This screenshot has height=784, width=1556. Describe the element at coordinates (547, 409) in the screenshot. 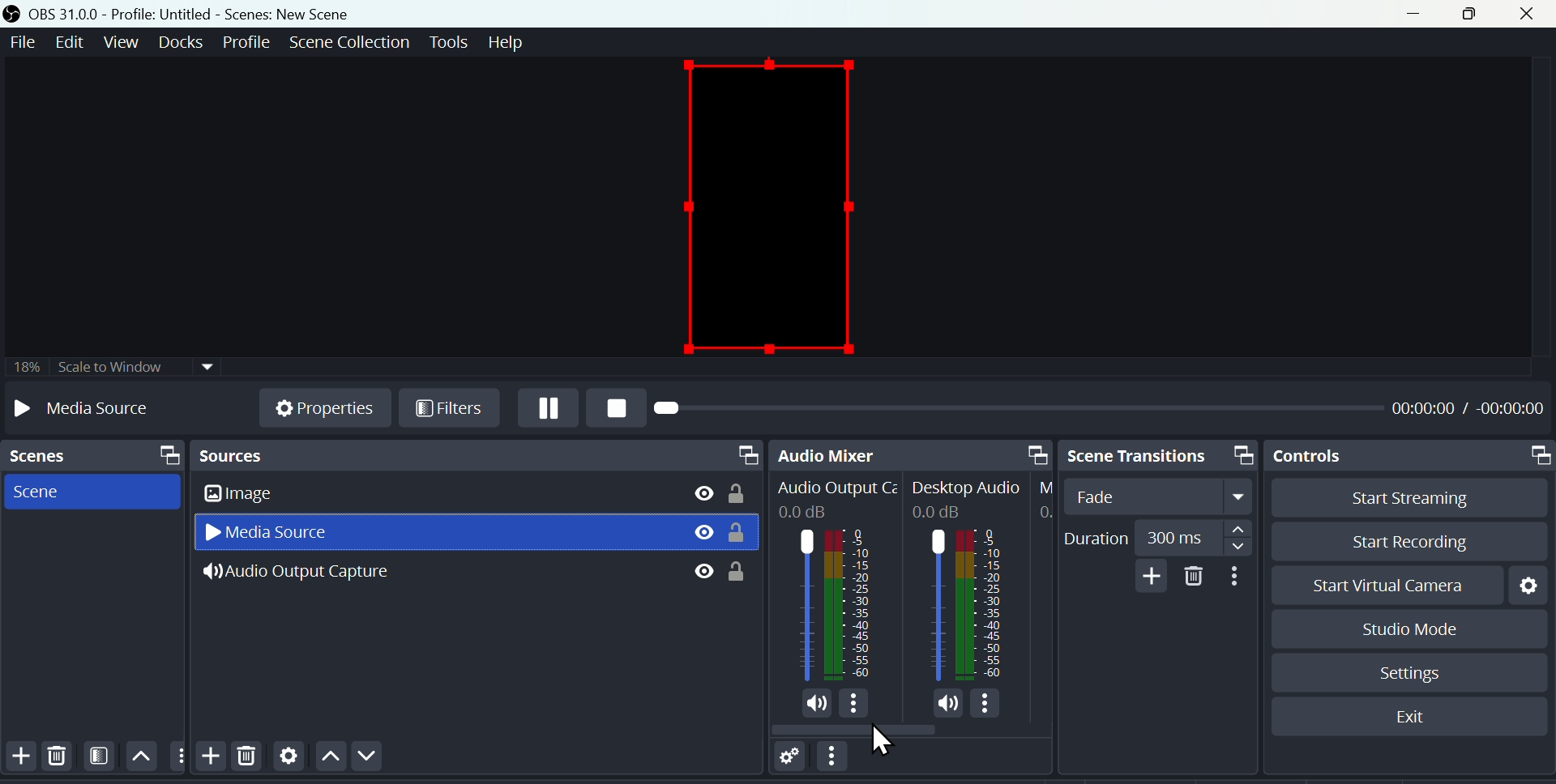

I see `Pause` at that location.